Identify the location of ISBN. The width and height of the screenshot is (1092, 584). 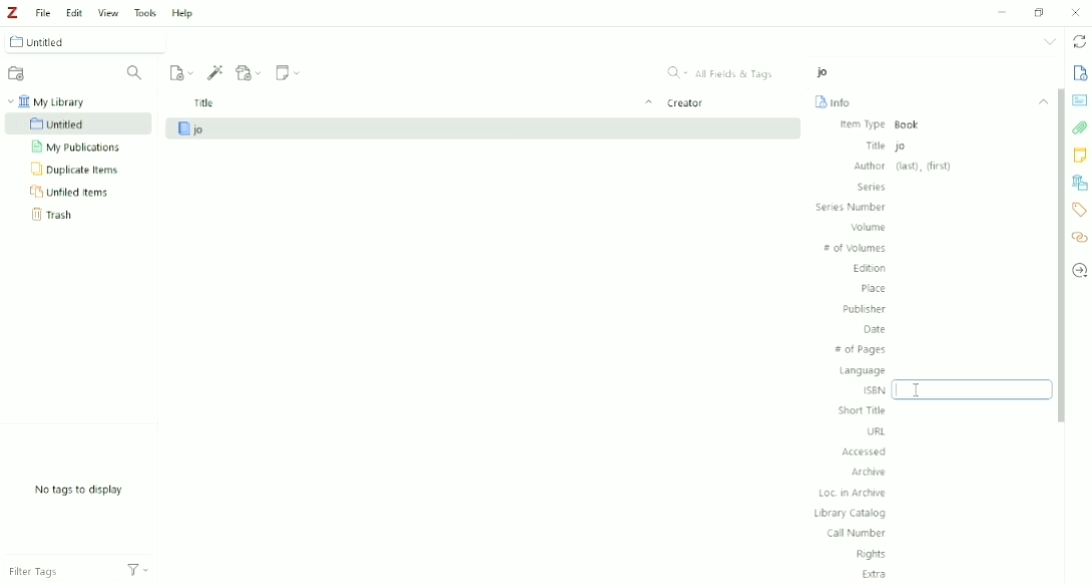
(874, 390).